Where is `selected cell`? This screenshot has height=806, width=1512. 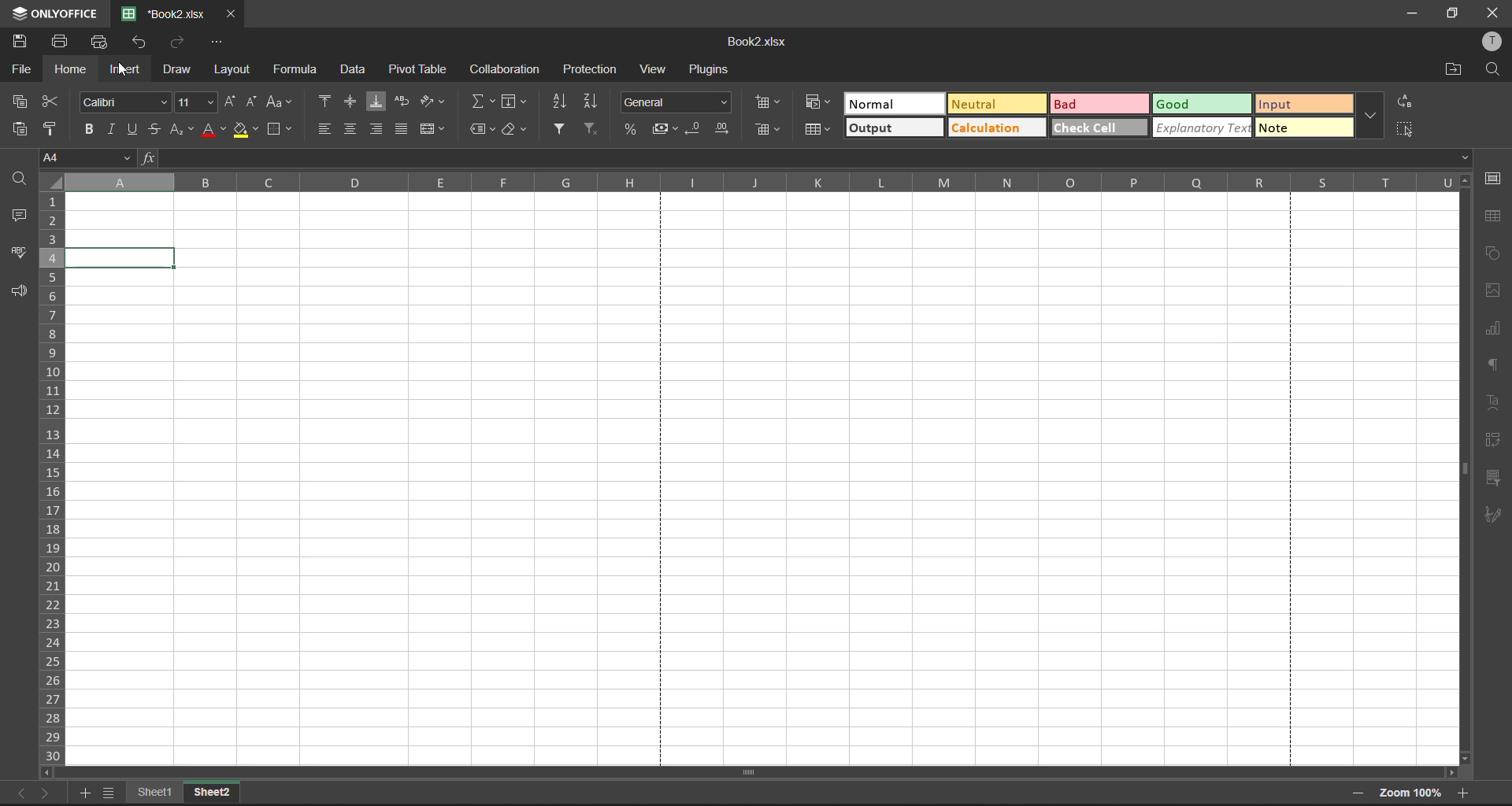
selected cell is located at coordinates (121, 257).